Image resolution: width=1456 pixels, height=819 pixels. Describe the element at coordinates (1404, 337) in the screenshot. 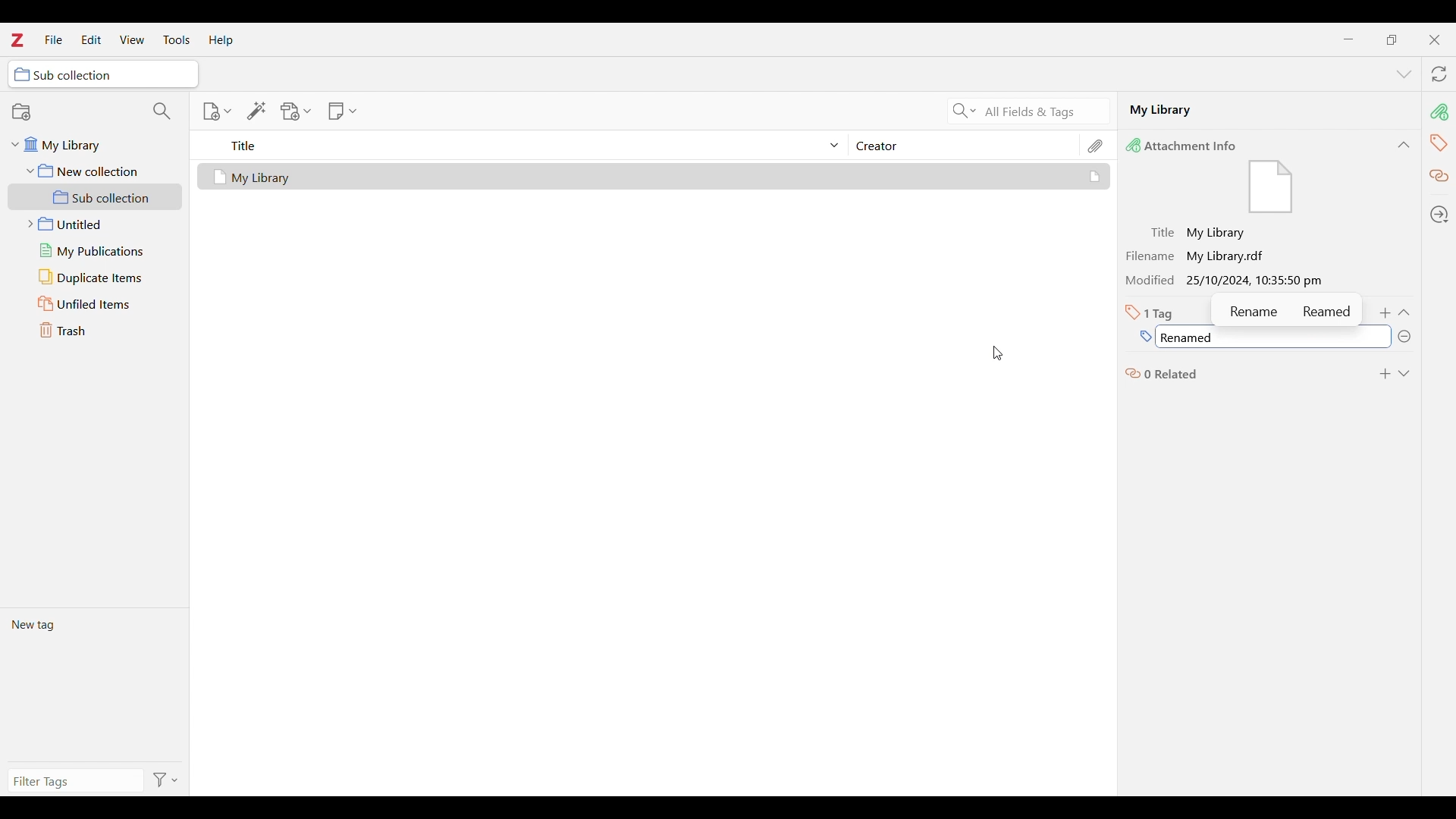

I see `Remove` at that location.